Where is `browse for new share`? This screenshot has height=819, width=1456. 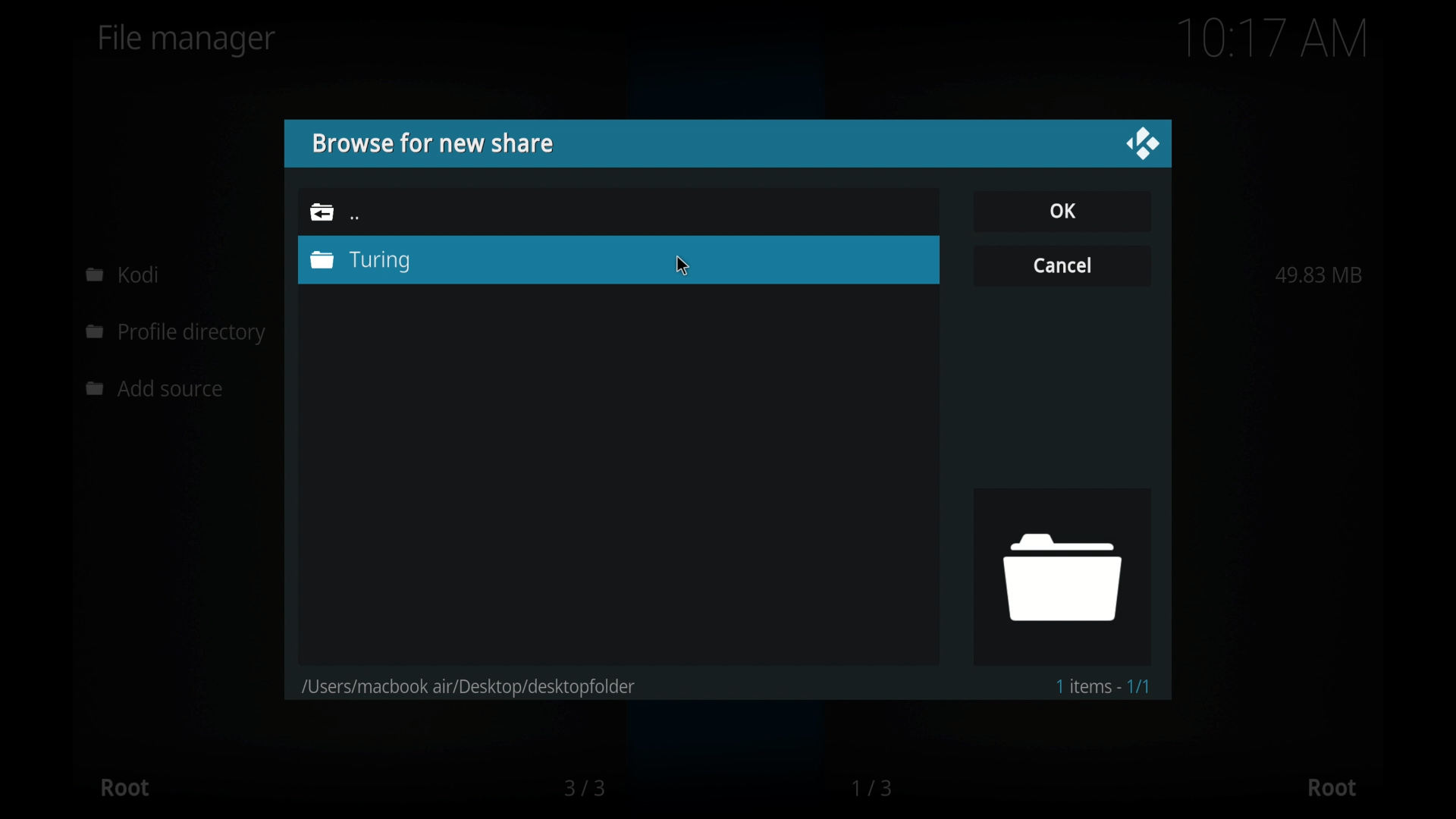 browse for new share is located at coordinates (431, 143).